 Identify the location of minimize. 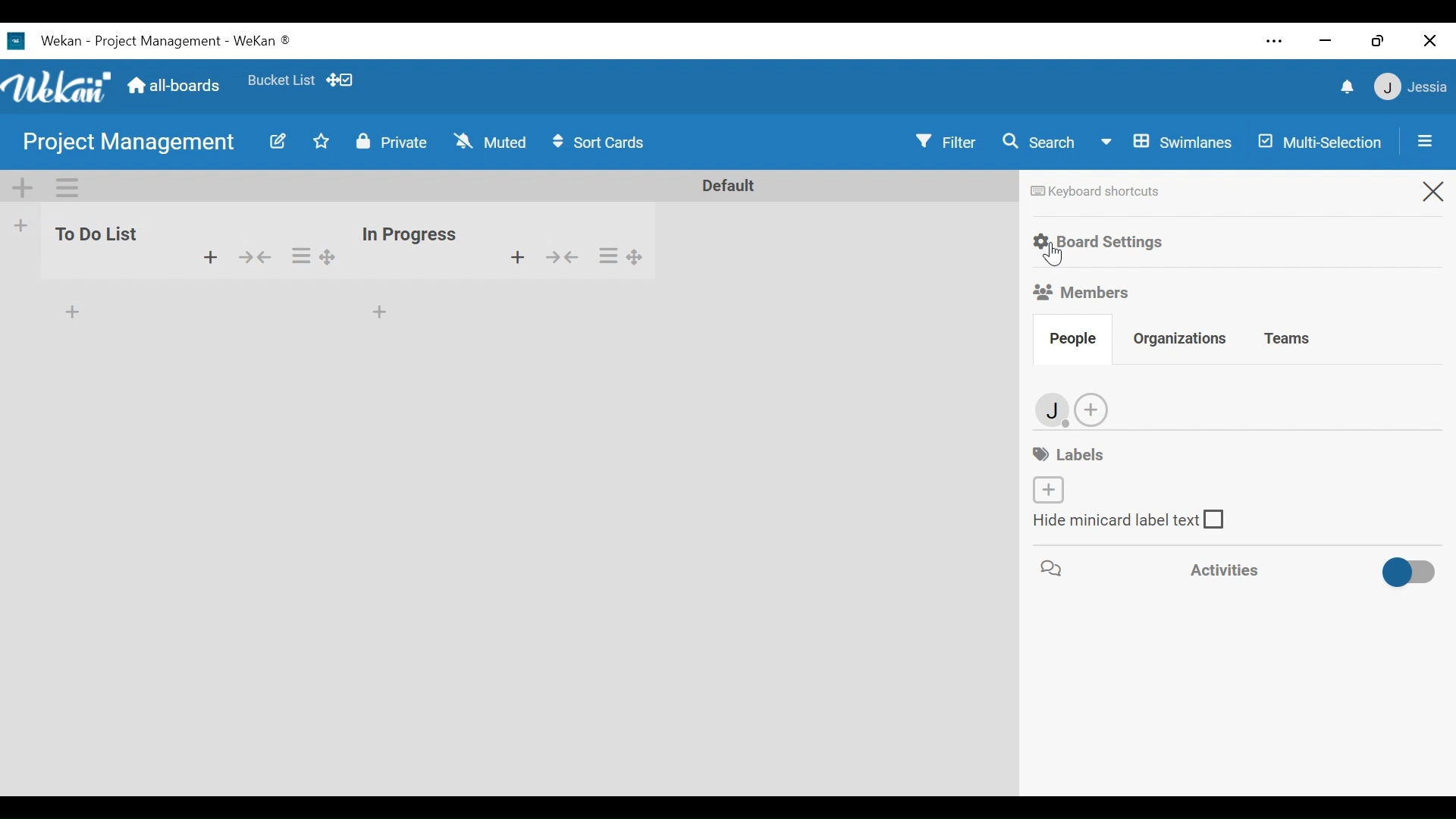
(1325, 42).